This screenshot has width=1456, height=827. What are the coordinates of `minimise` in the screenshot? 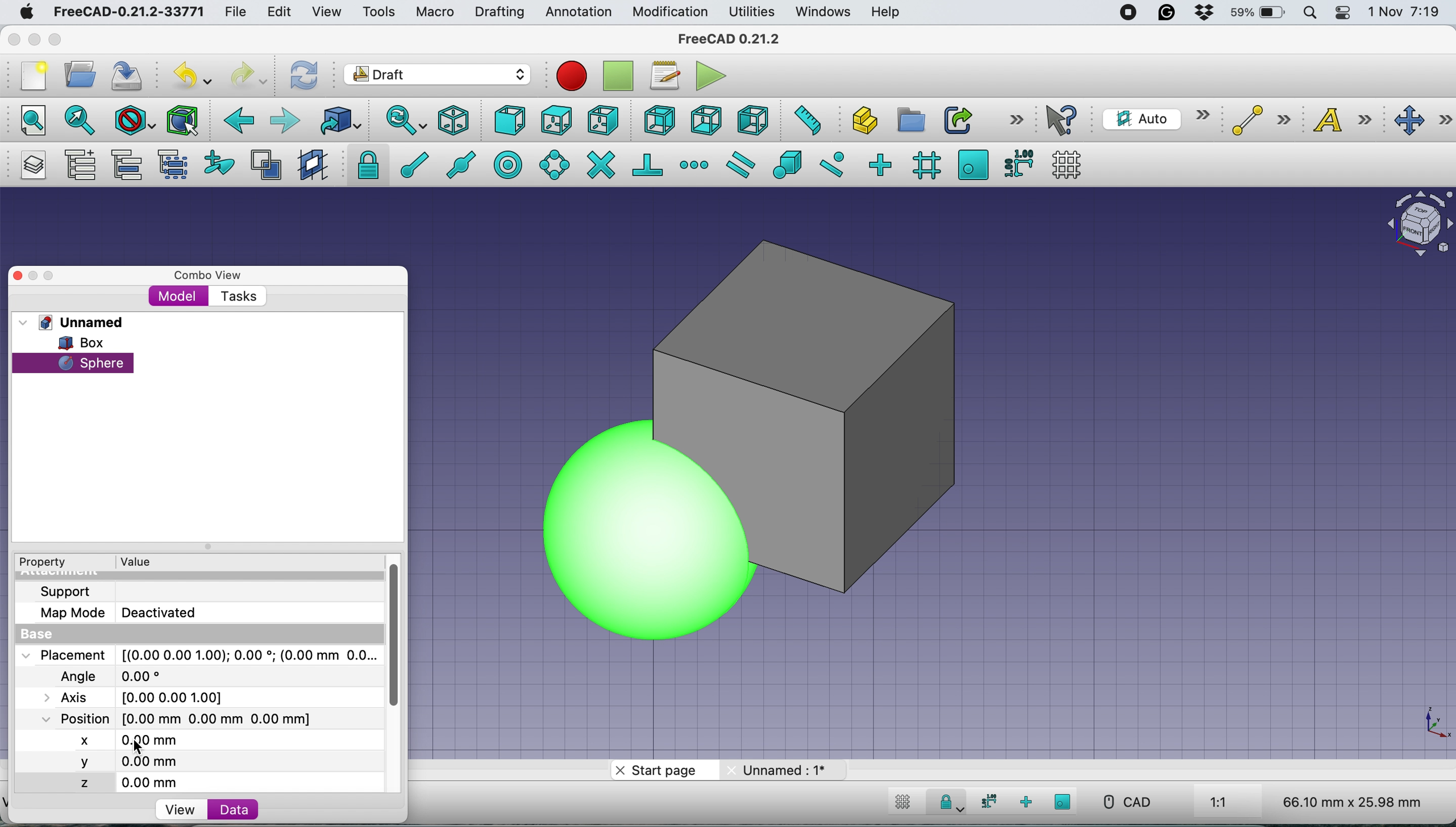 It's located at (33, 39).